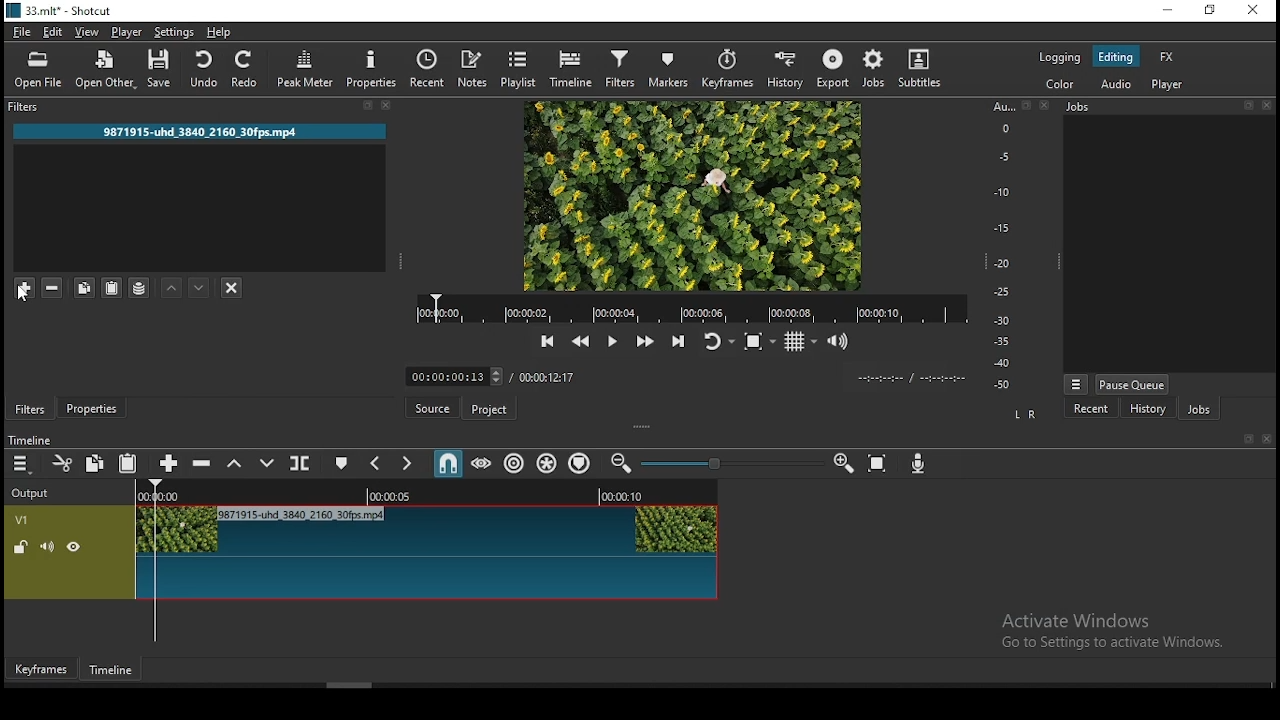 Image resolution: width=1280 pixels, height=720 pixels. What do you see at coordinates (1250, 10) in the screenshot?
I see `close window` at bounding box center [1250, 10].